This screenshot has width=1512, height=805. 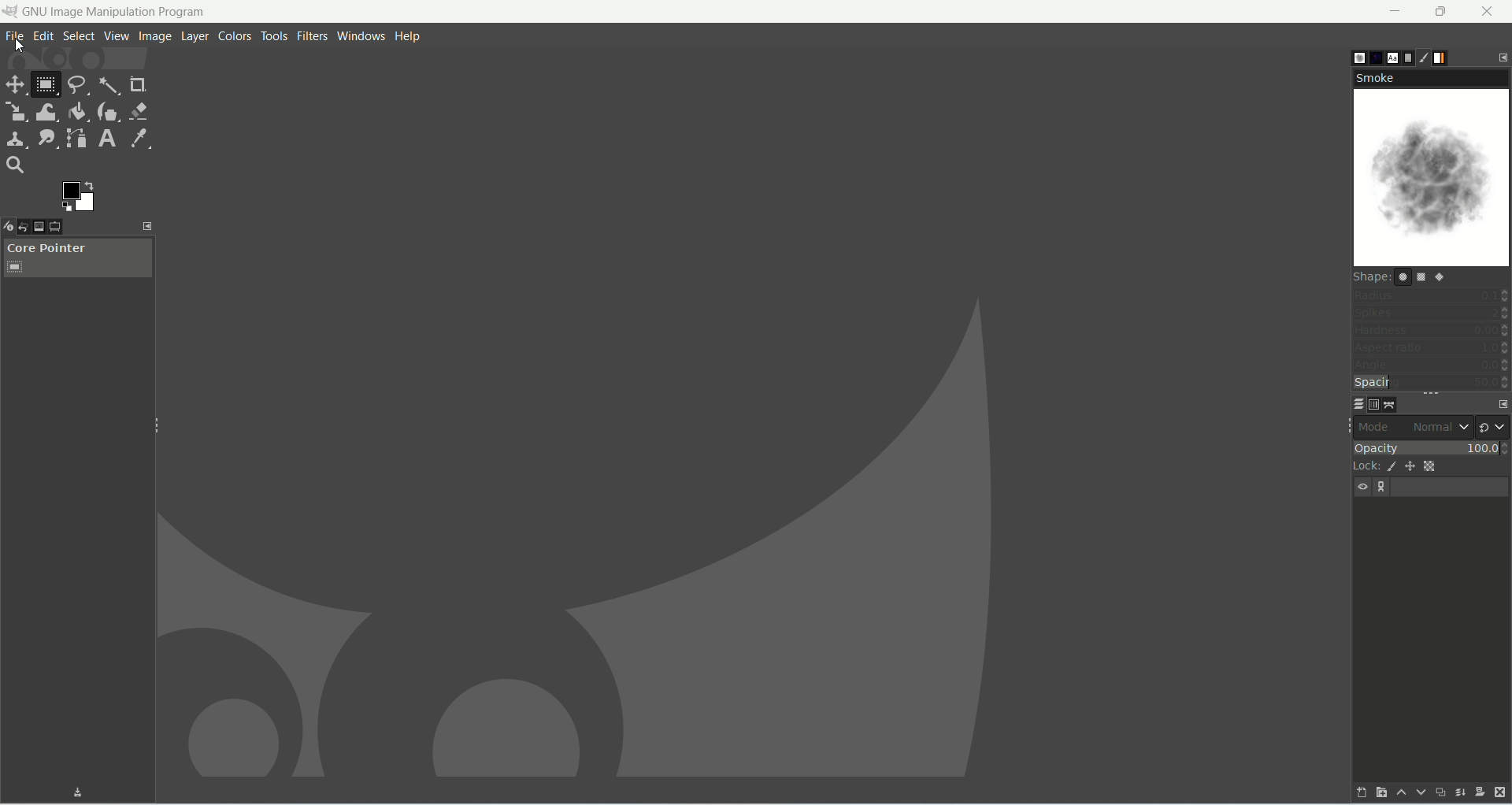 I want to click on channels, so click(x=1377, y=404).